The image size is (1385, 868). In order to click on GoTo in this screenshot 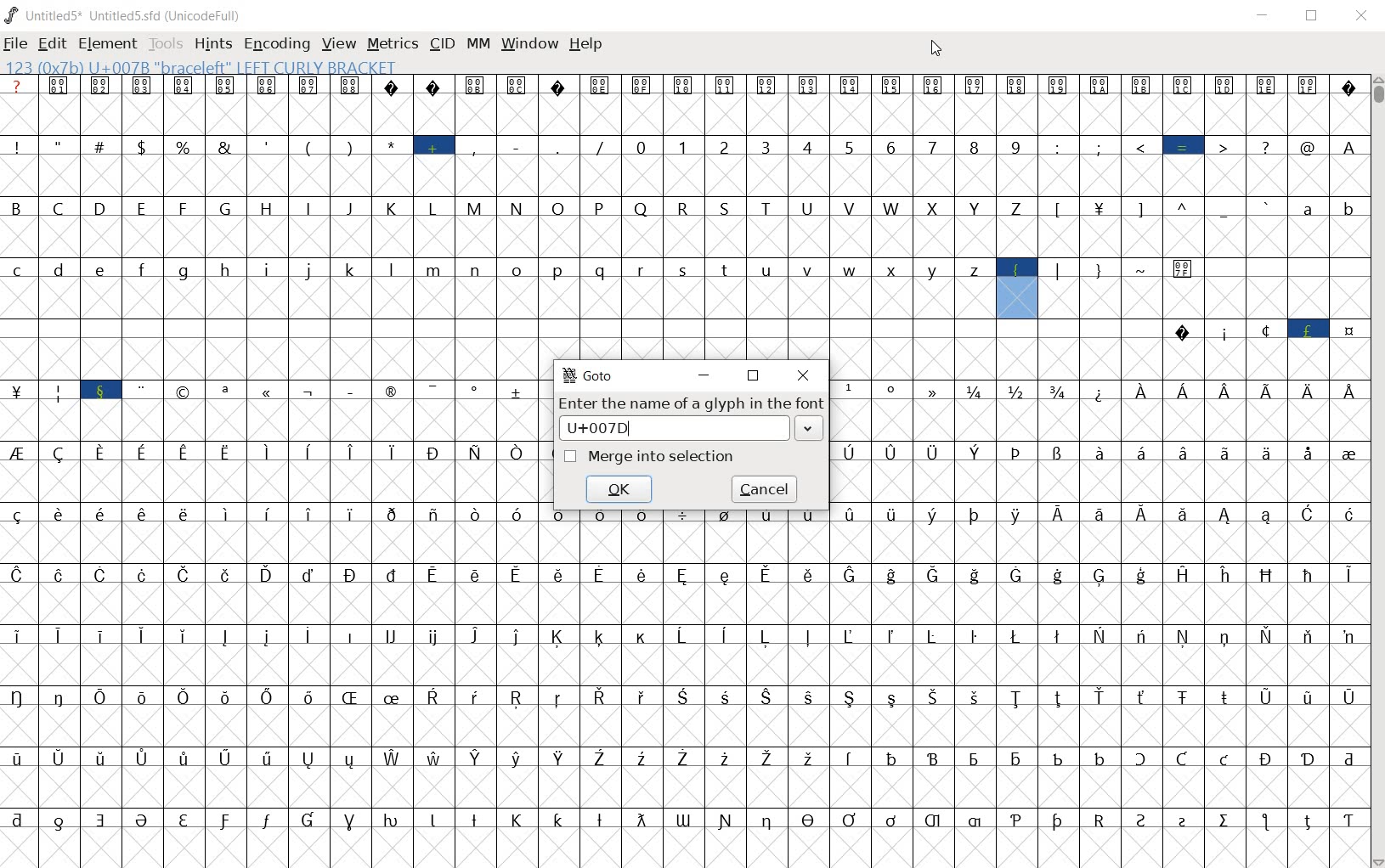, I will do `click(587, 376)`.